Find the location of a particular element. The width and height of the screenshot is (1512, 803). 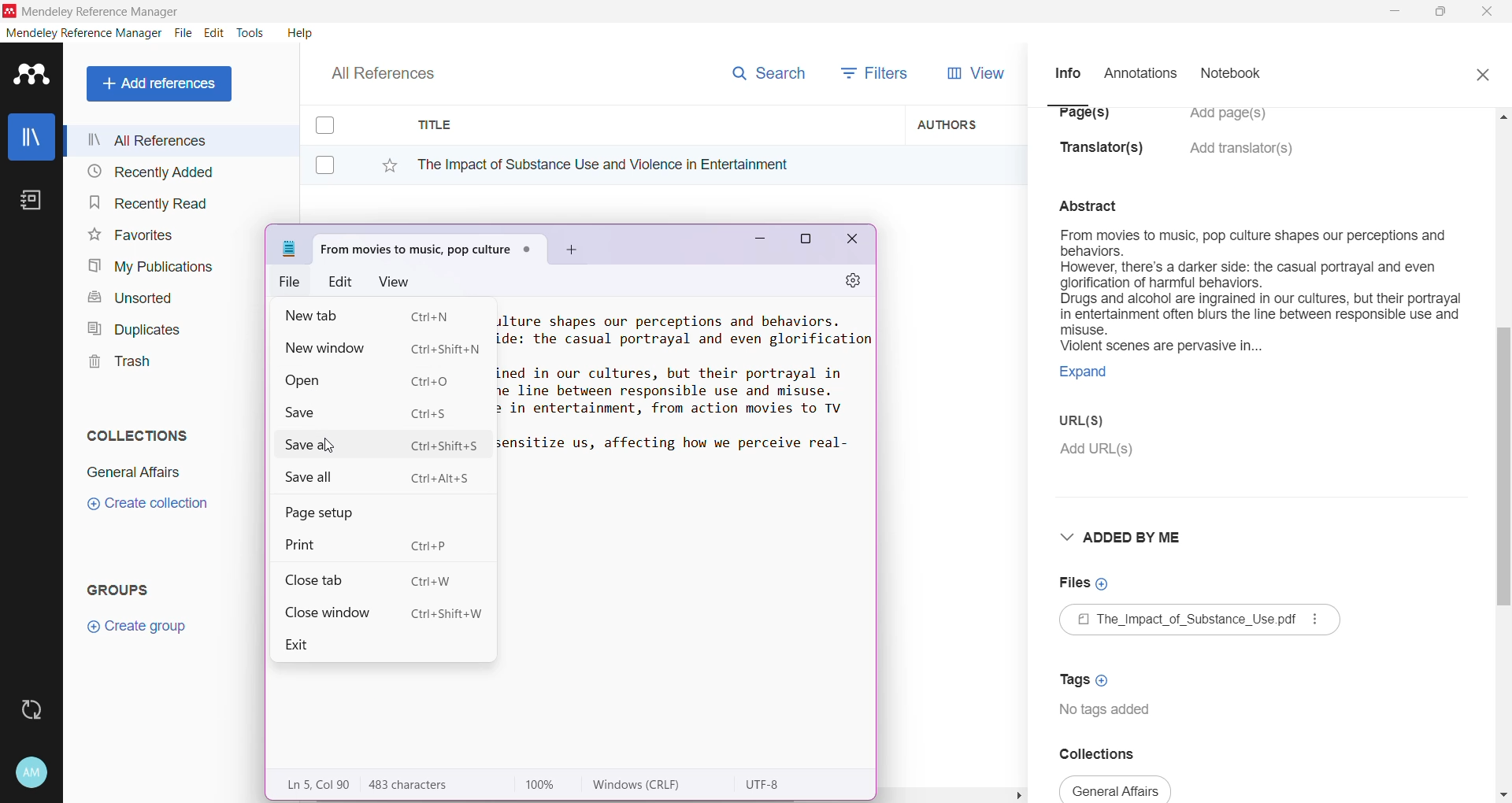

Add References is located at coordinates (162, 83).